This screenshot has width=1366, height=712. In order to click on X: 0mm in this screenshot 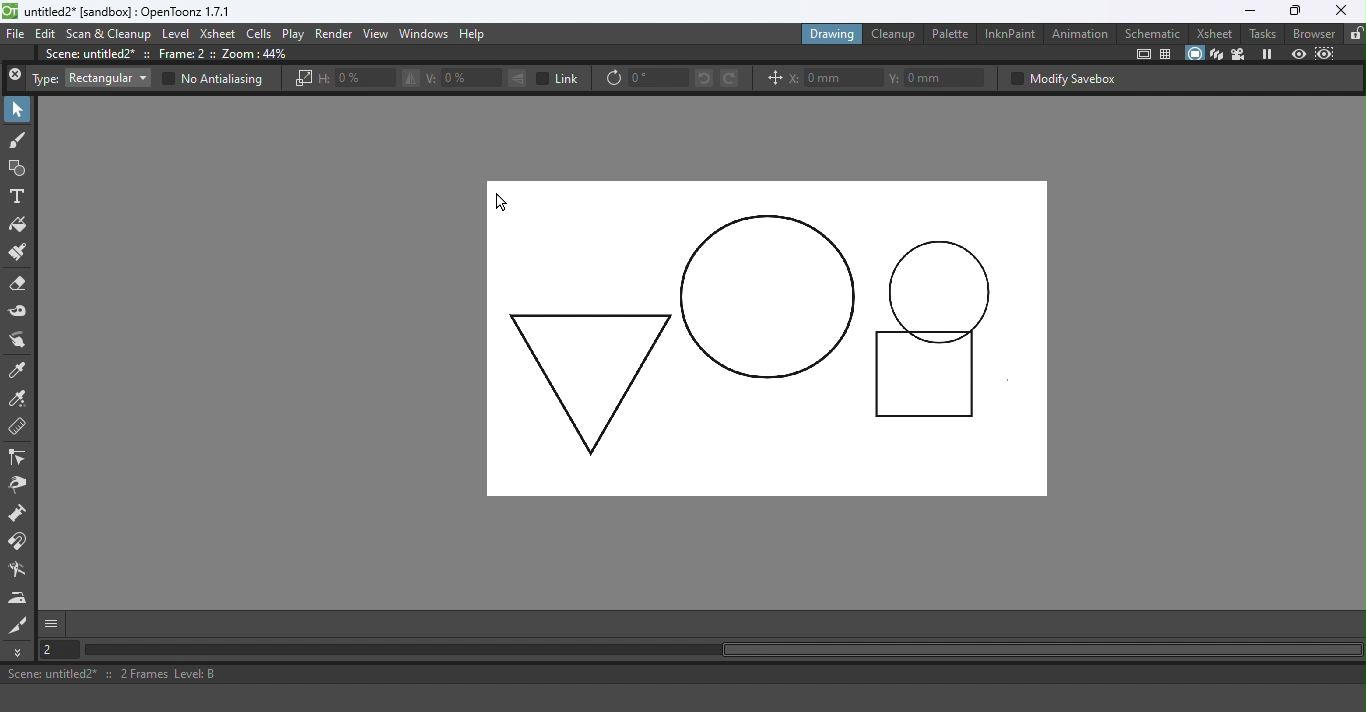, I will do `click(835, 78)`.